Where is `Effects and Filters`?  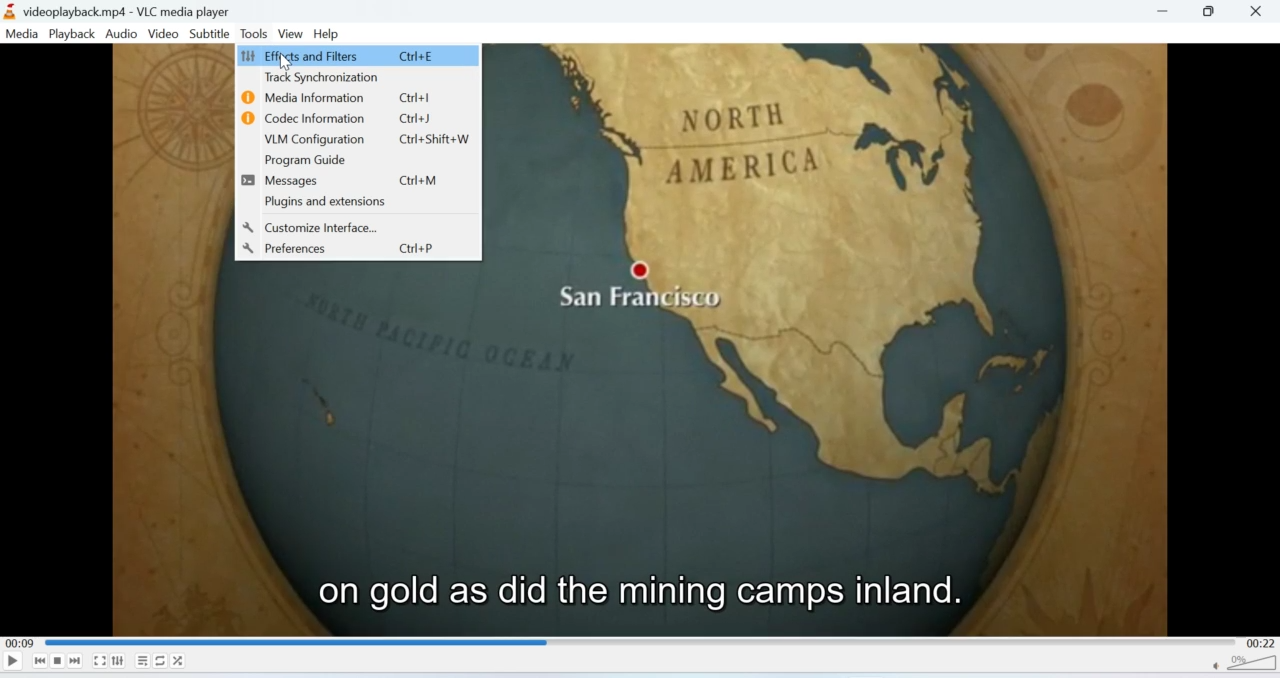 Effects and Filters is located at coordinates (304, 56).